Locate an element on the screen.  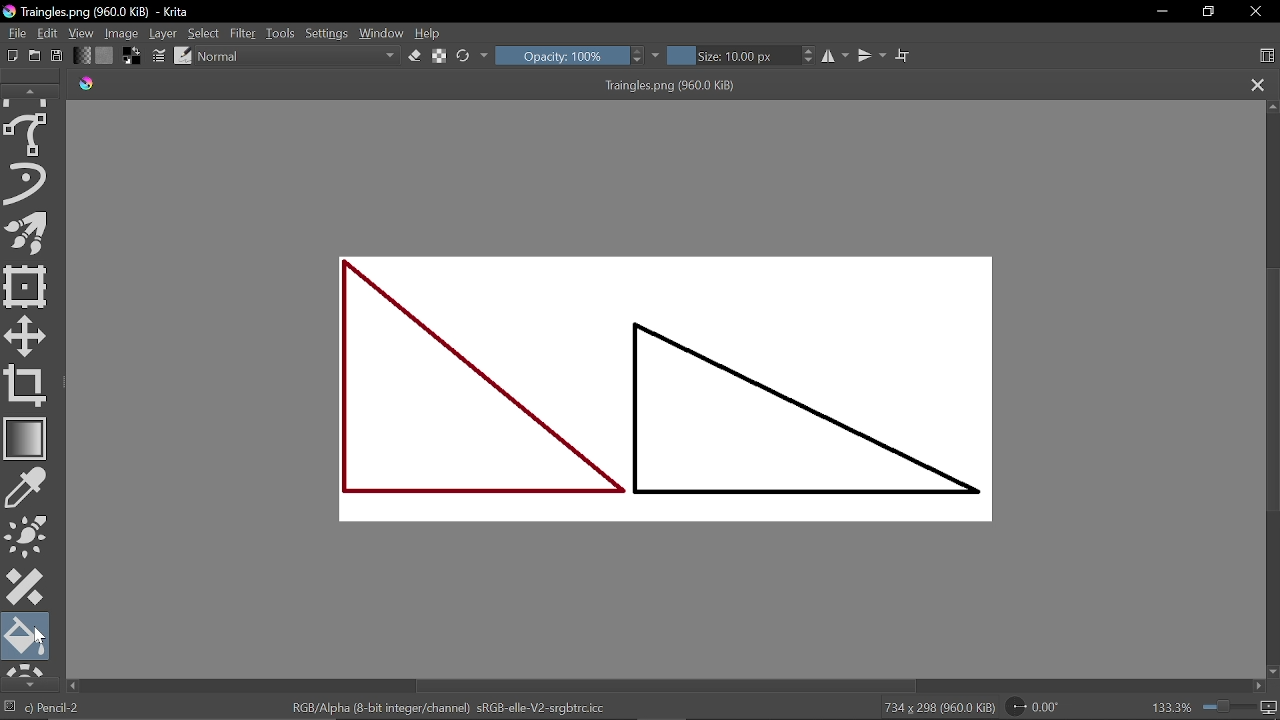
Wrap around text mode is located at coordinates (905, 57).